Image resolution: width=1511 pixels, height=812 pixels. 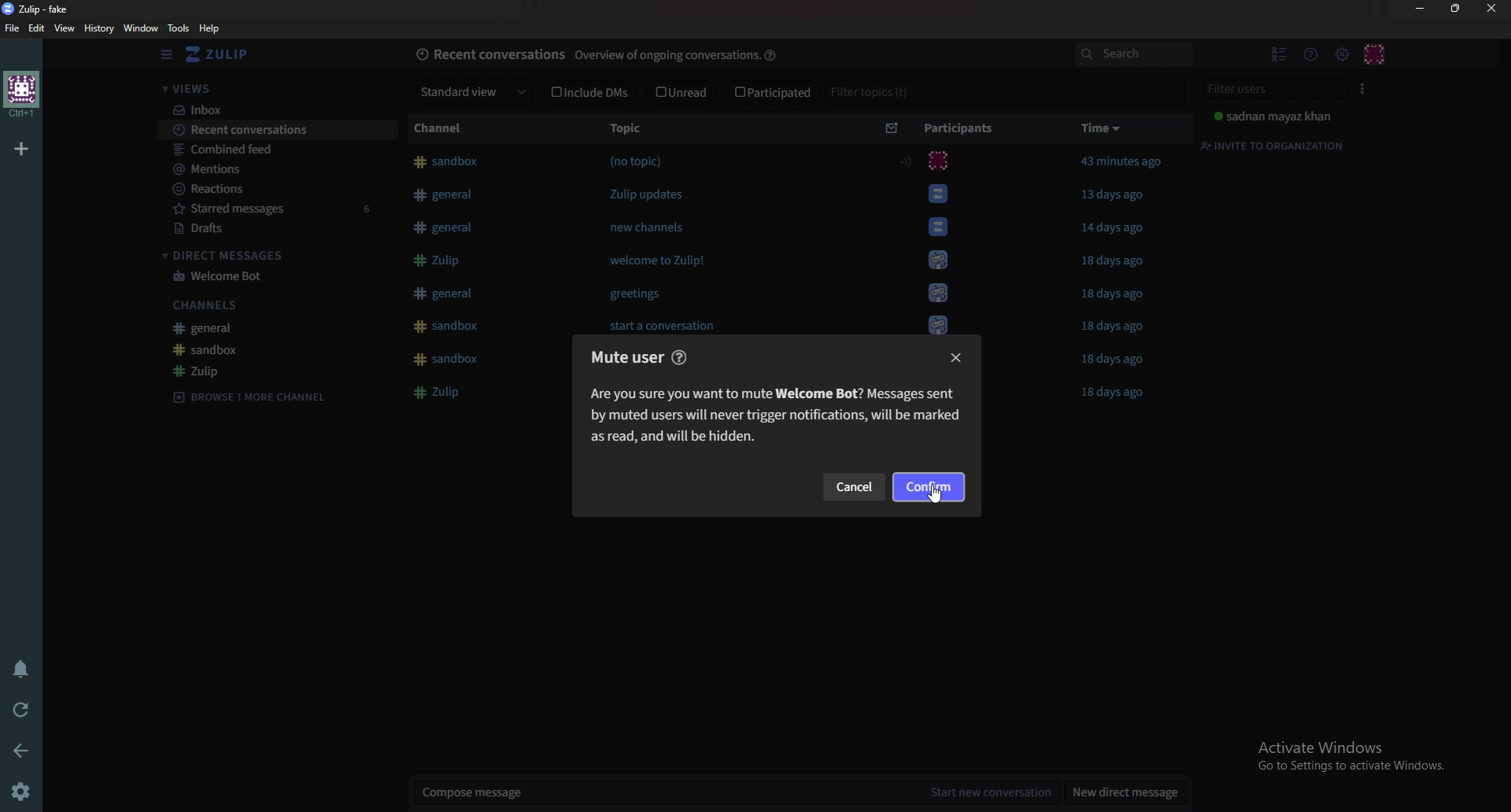 What do you see at coordinates (451, 327) in the screenshot?
I see `#sandbox` at bounding box center [451, 327].